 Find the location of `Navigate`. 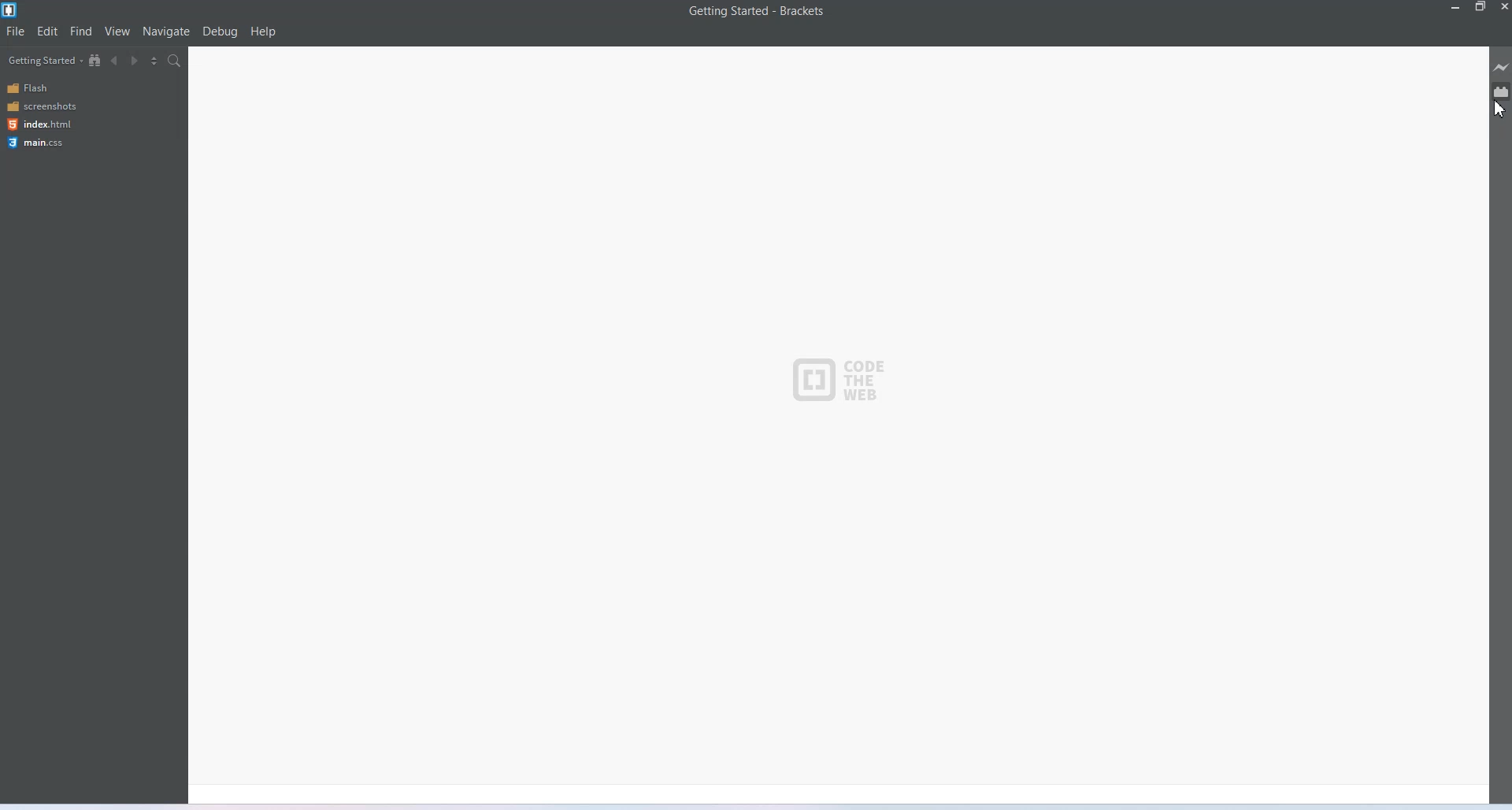

Navigate is located at coordinates (167, 32).